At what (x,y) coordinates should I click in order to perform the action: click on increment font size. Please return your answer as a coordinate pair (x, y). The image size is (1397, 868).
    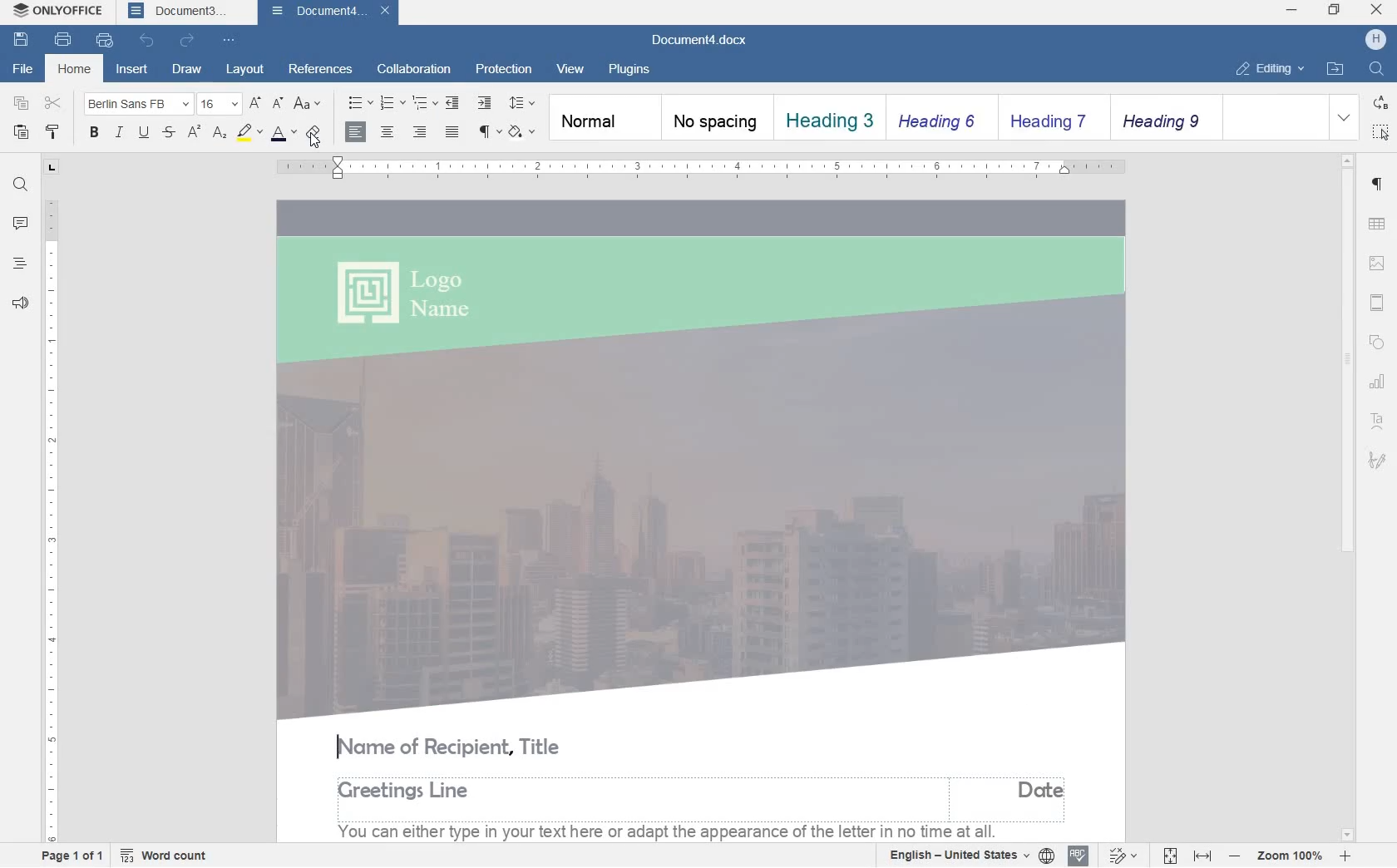
    Looking at the image, I should click on (254, 103).